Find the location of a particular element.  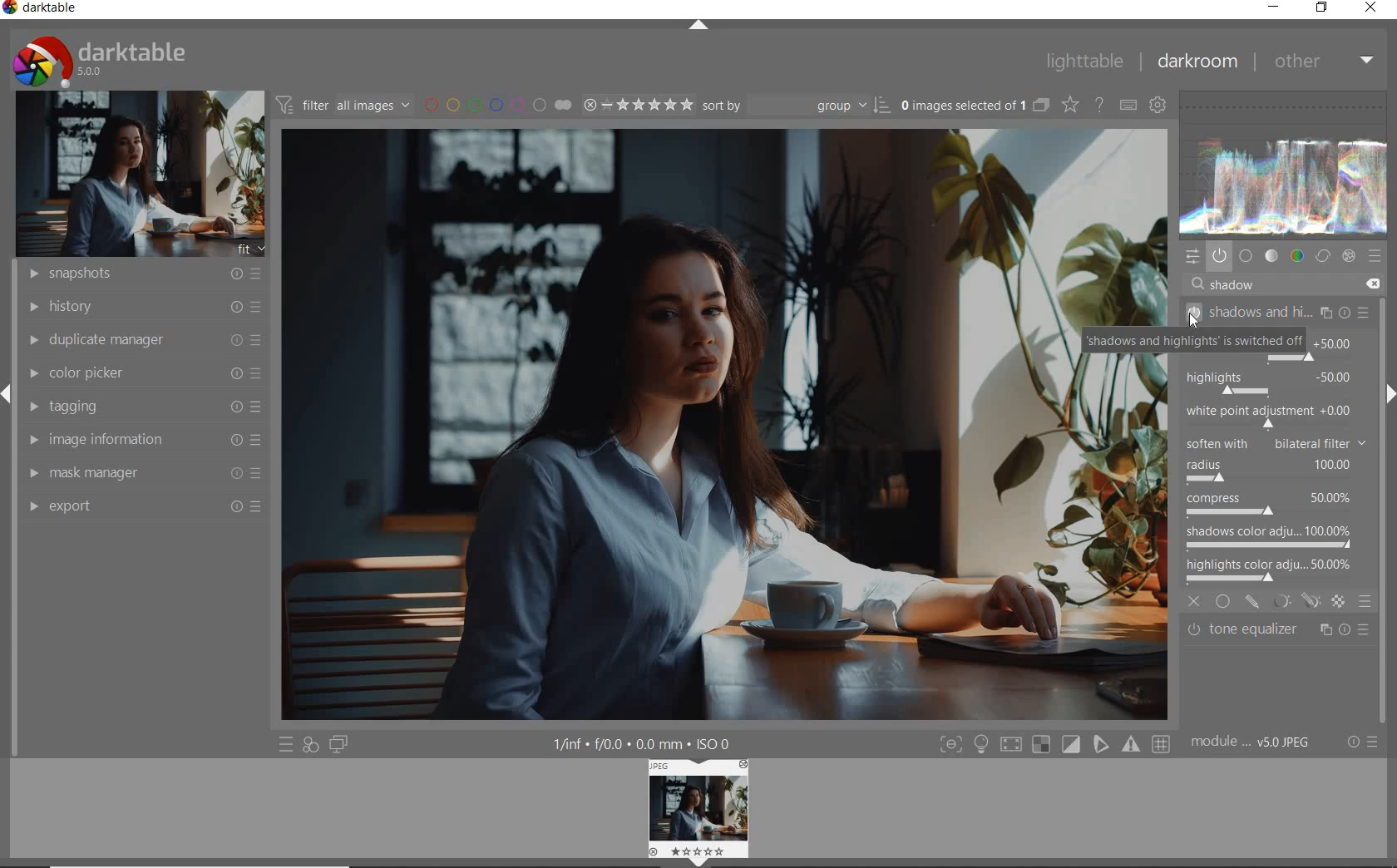

export is located at coordinates (142, 506).